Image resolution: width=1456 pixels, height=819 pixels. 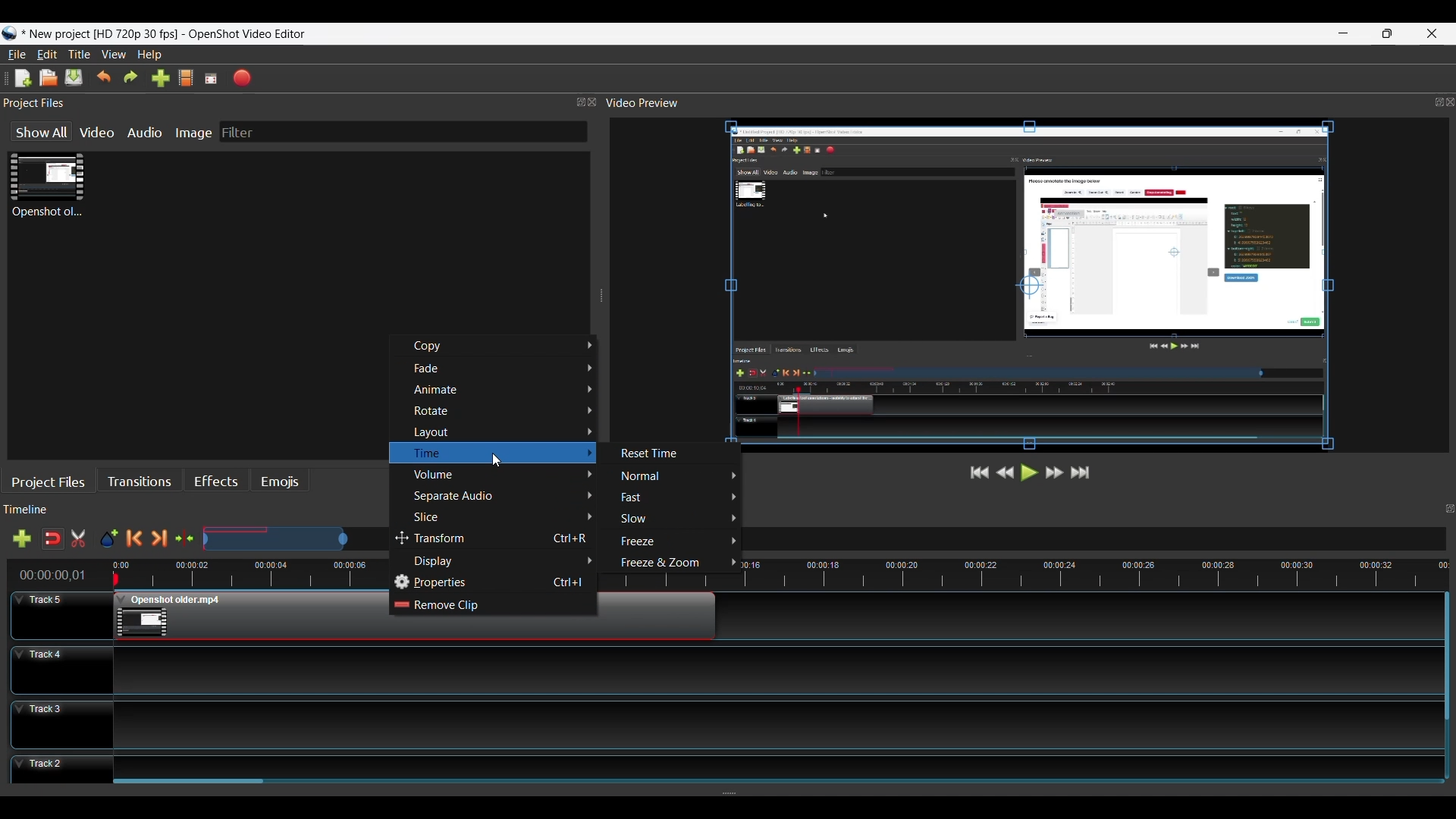 I want to click on Track Panel, so click(x=774, y=764).